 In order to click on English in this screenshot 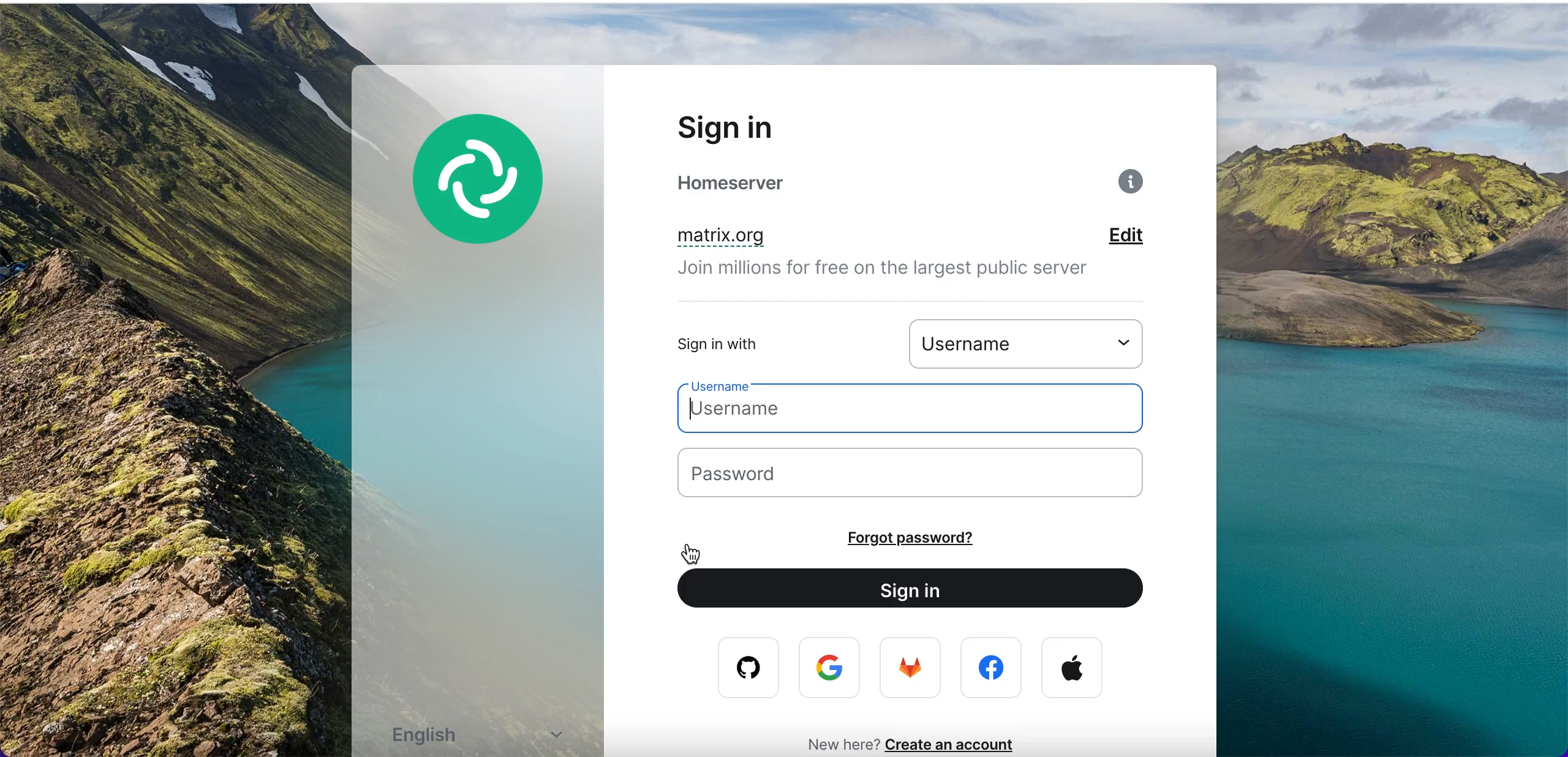, I will do `click(485, 734)`.